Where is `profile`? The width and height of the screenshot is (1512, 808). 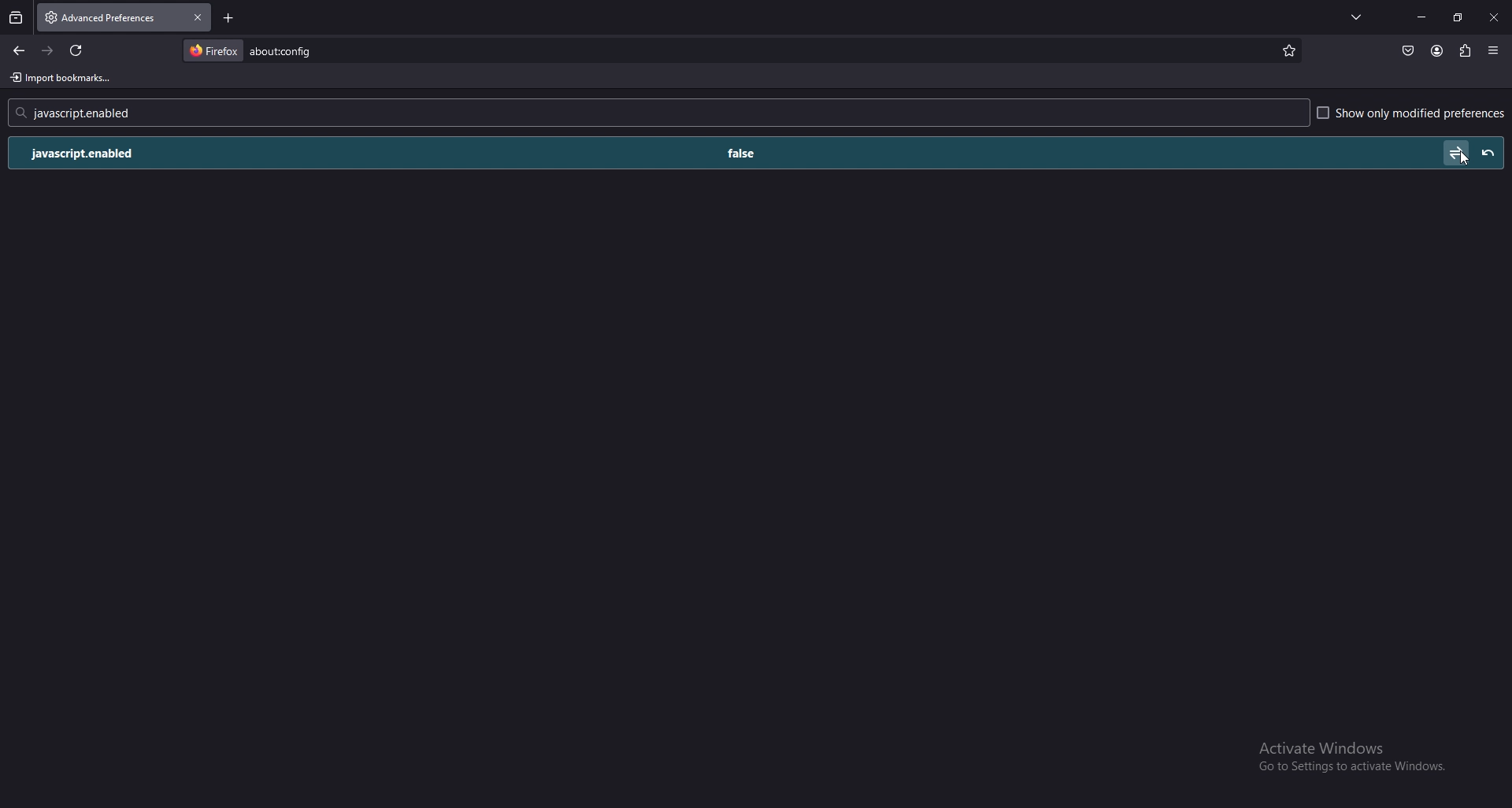
profile is located at coordinates (1436, 51).